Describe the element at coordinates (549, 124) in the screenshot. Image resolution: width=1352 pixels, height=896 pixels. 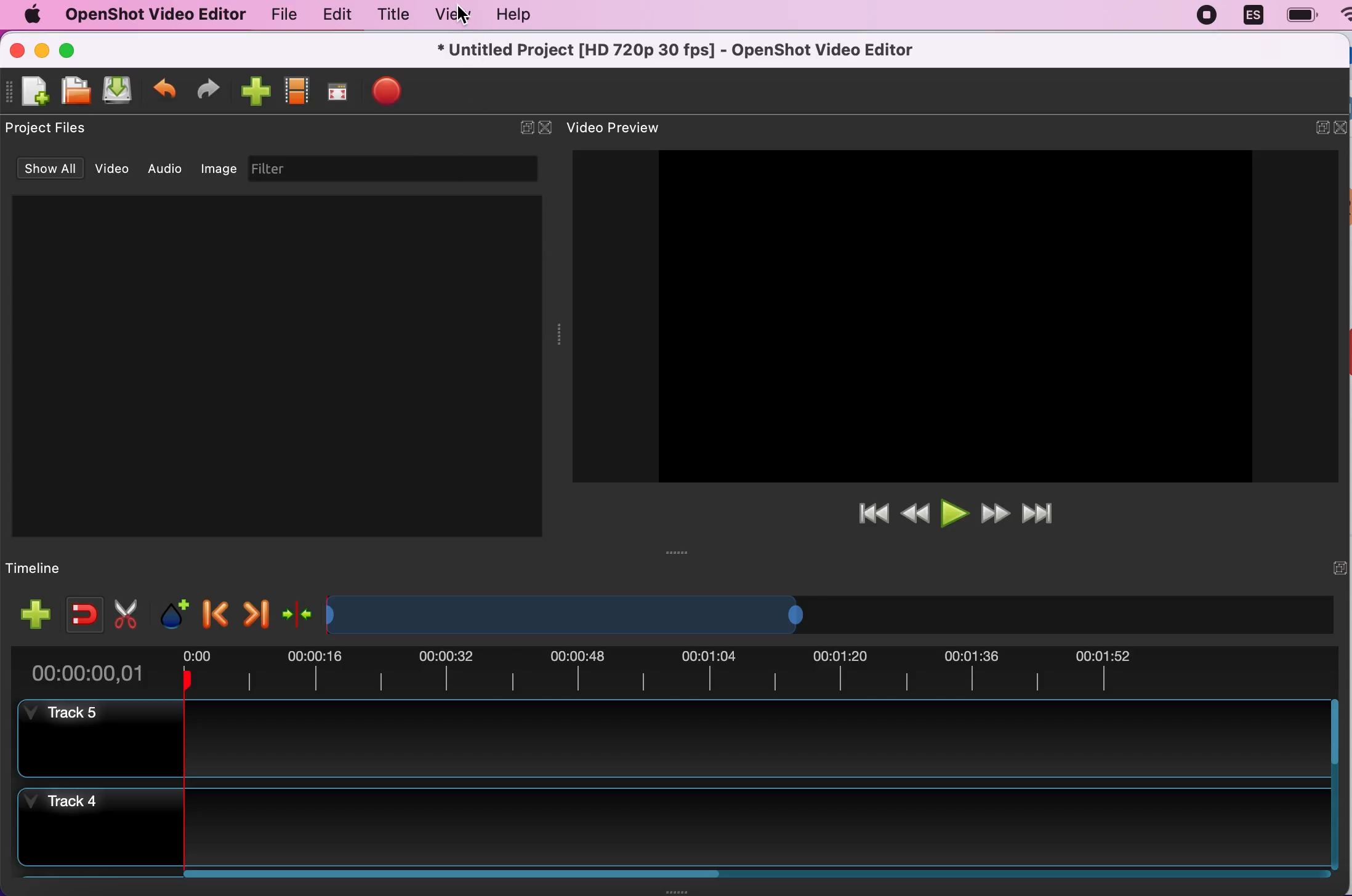
I see `close` at that location.